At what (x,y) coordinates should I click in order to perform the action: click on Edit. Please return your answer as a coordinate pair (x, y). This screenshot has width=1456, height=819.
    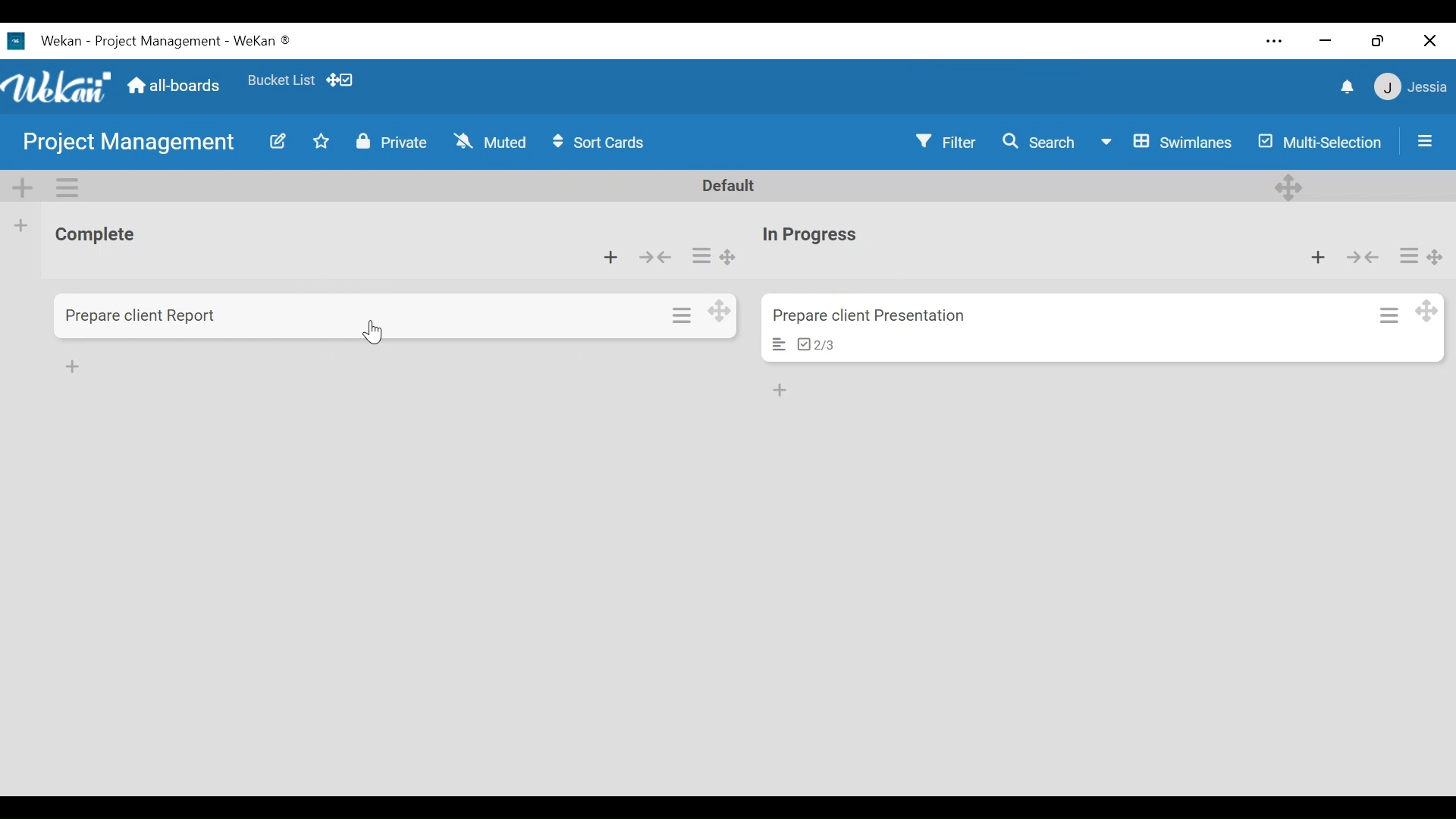
    Looking at the image, I should click on (279, 143).